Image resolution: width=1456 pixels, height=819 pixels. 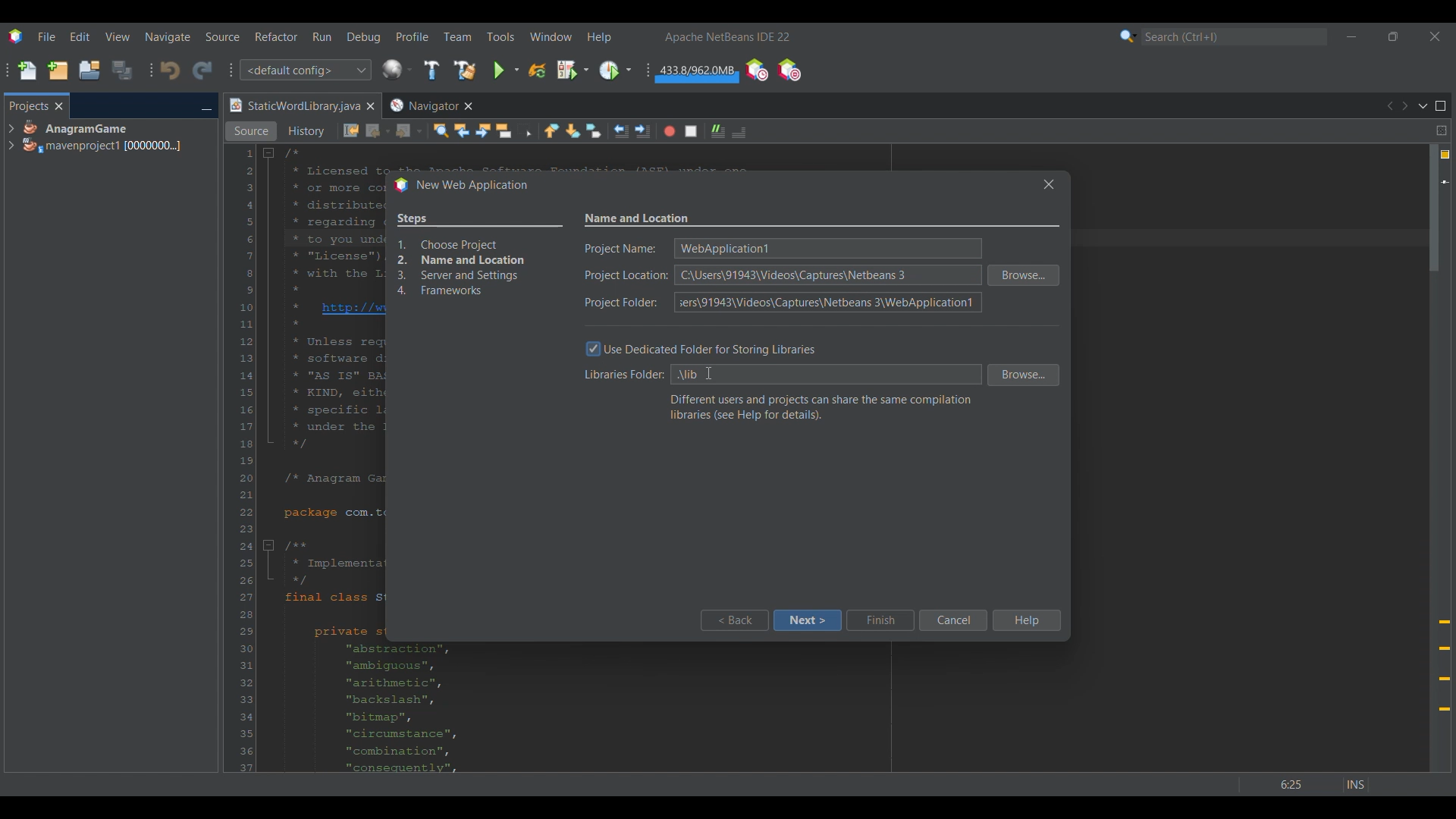 I want to click on Pause I/O checks, so click(x=789, y=70).